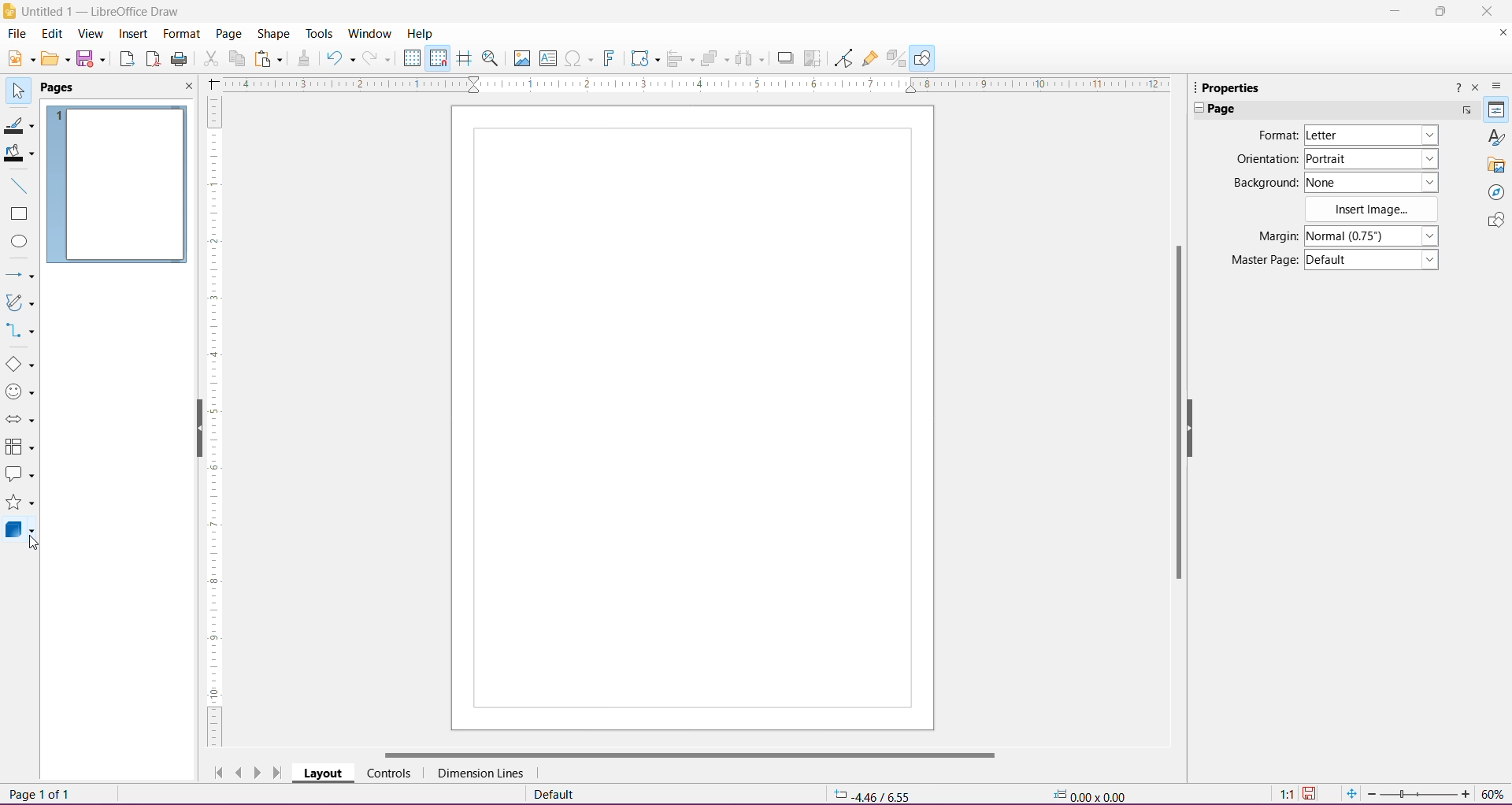 Image resolution: width=1512 pixels, height=805 pixels. Describe the element at coordinates (20, 276) in the screenshot. I see `Lines and Arrows` at that location.